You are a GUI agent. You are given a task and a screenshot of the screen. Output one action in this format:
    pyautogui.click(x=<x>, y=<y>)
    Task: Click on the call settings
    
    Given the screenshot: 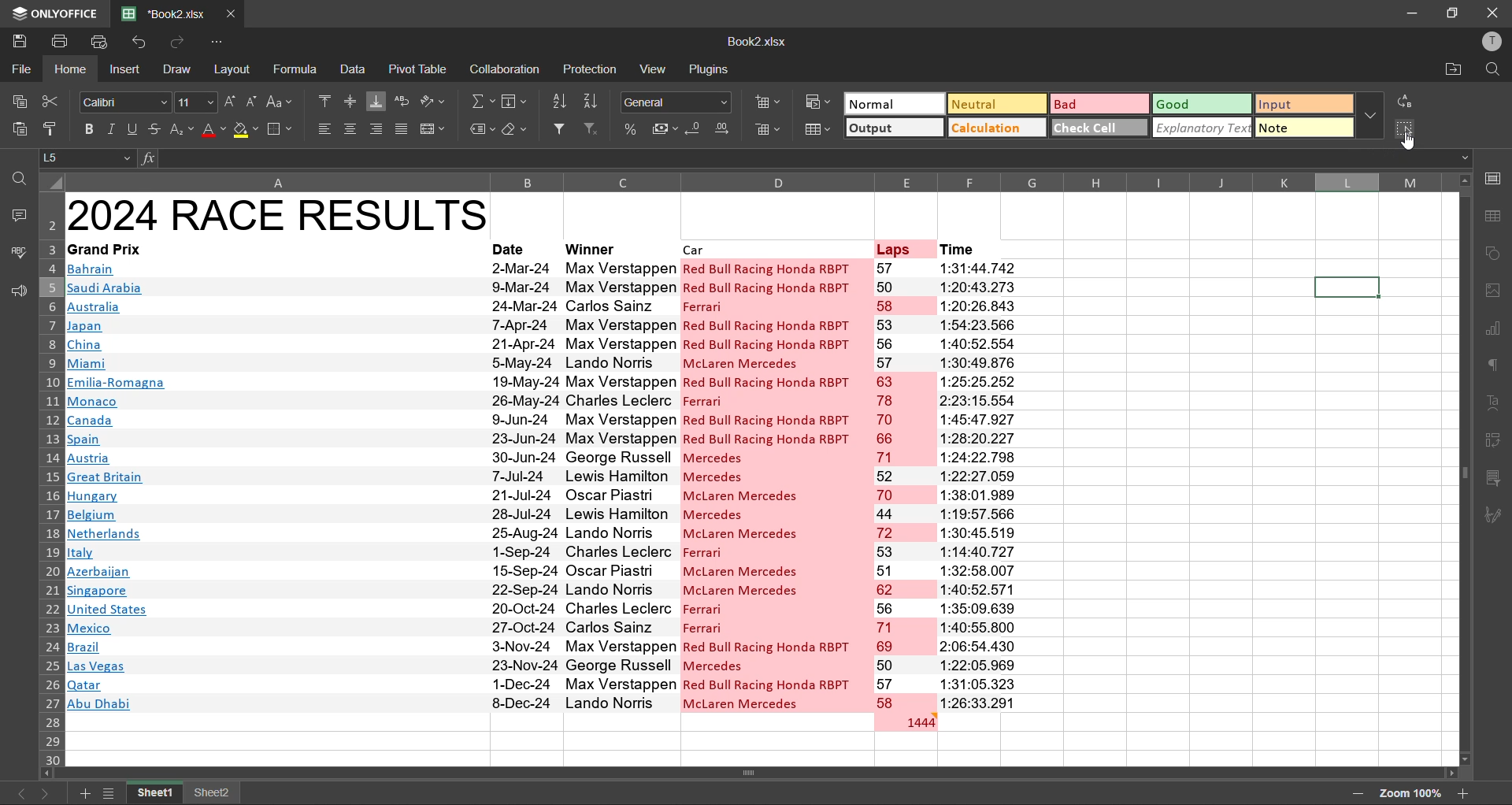 What is the action you would take?
    pyautogui.click(x=1492, y=178)
    